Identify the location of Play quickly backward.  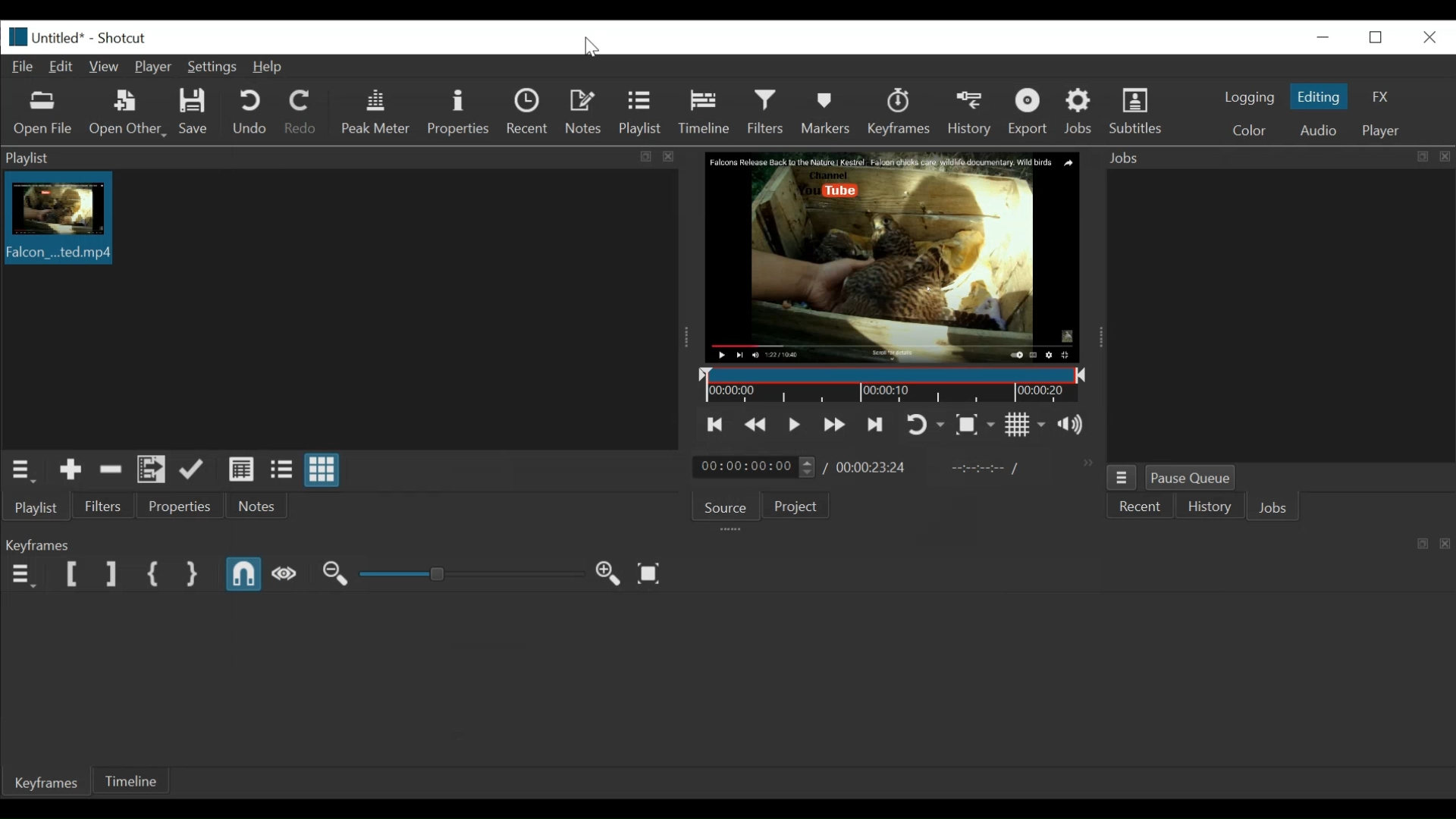
(757, 425).